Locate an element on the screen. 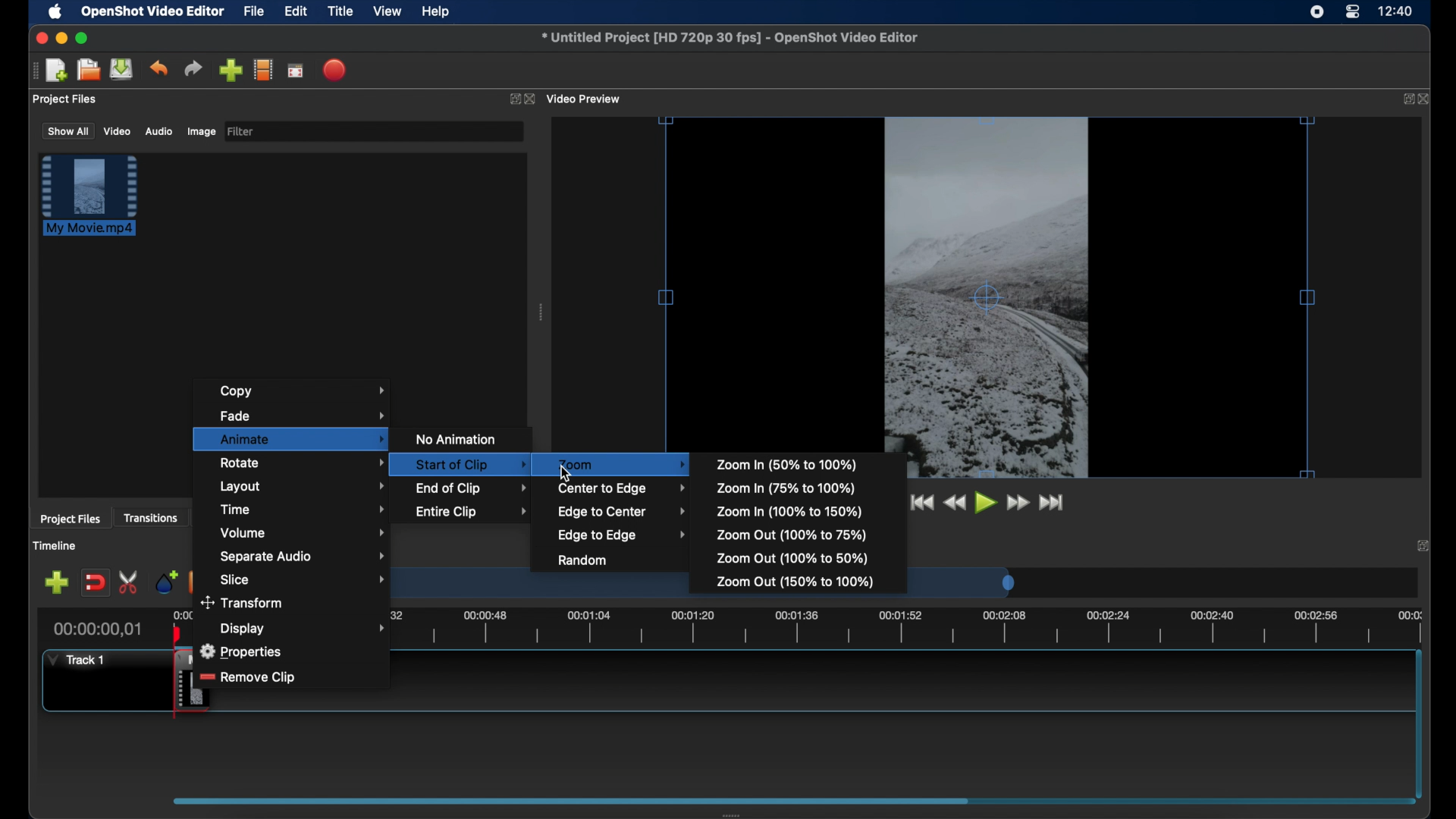 This screenshot has width=1456, height=819. slice menu is located at coordinates (304, 579).